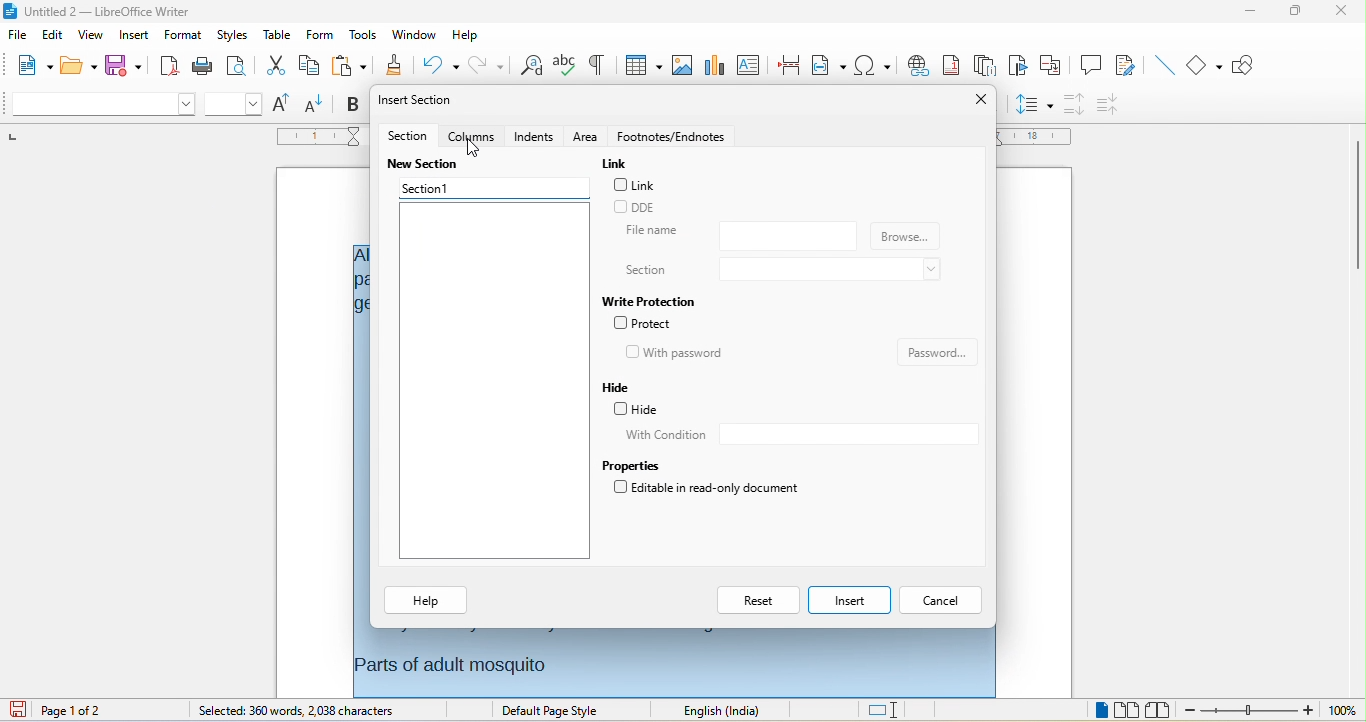  What do you see at coordinates (165, 65) in the screenshot?
I see `export directly as pdf` at bounding box center [165, 65].